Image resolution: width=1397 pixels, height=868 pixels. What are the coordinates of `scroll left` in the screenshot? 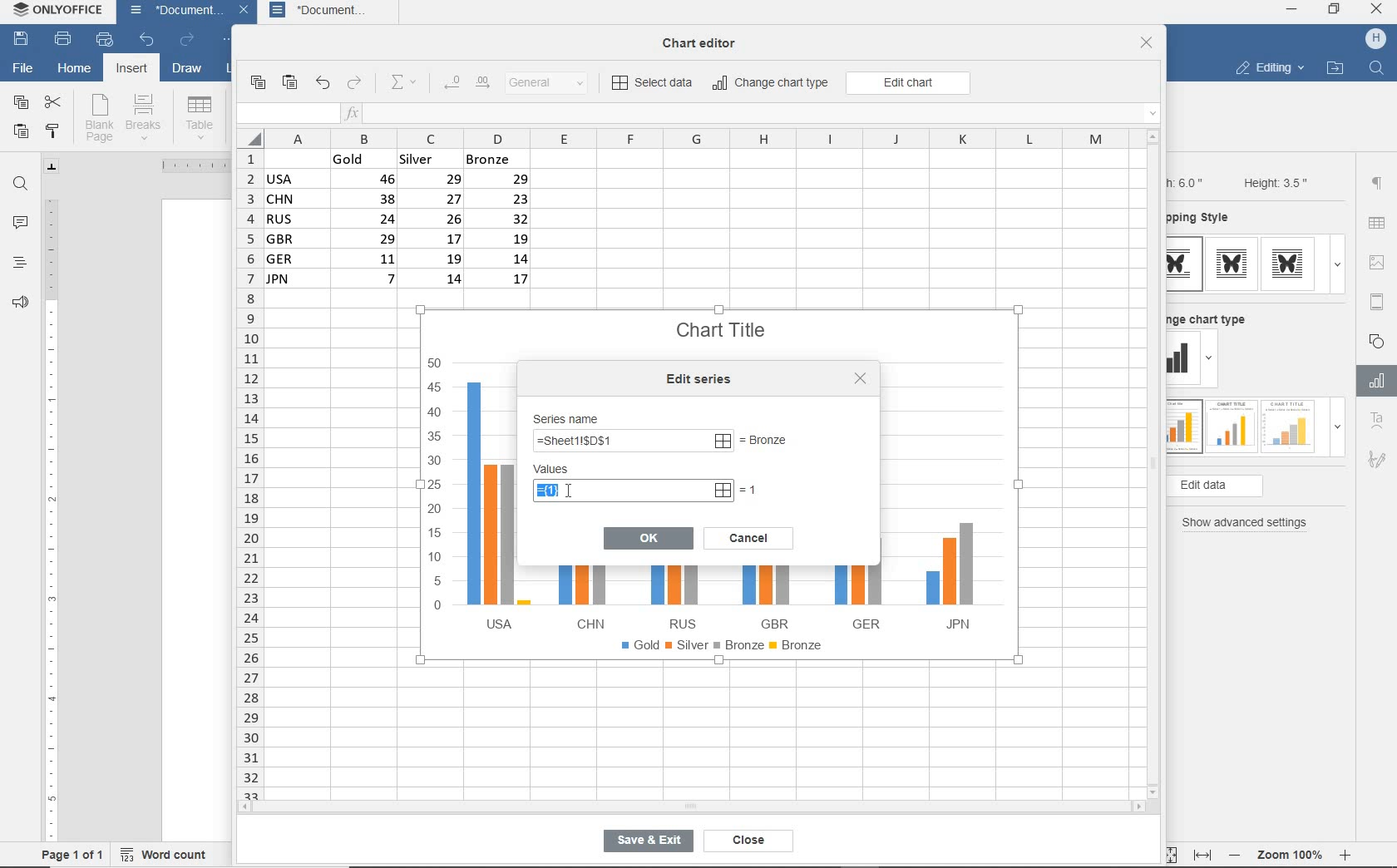 It's located at (249, 808).